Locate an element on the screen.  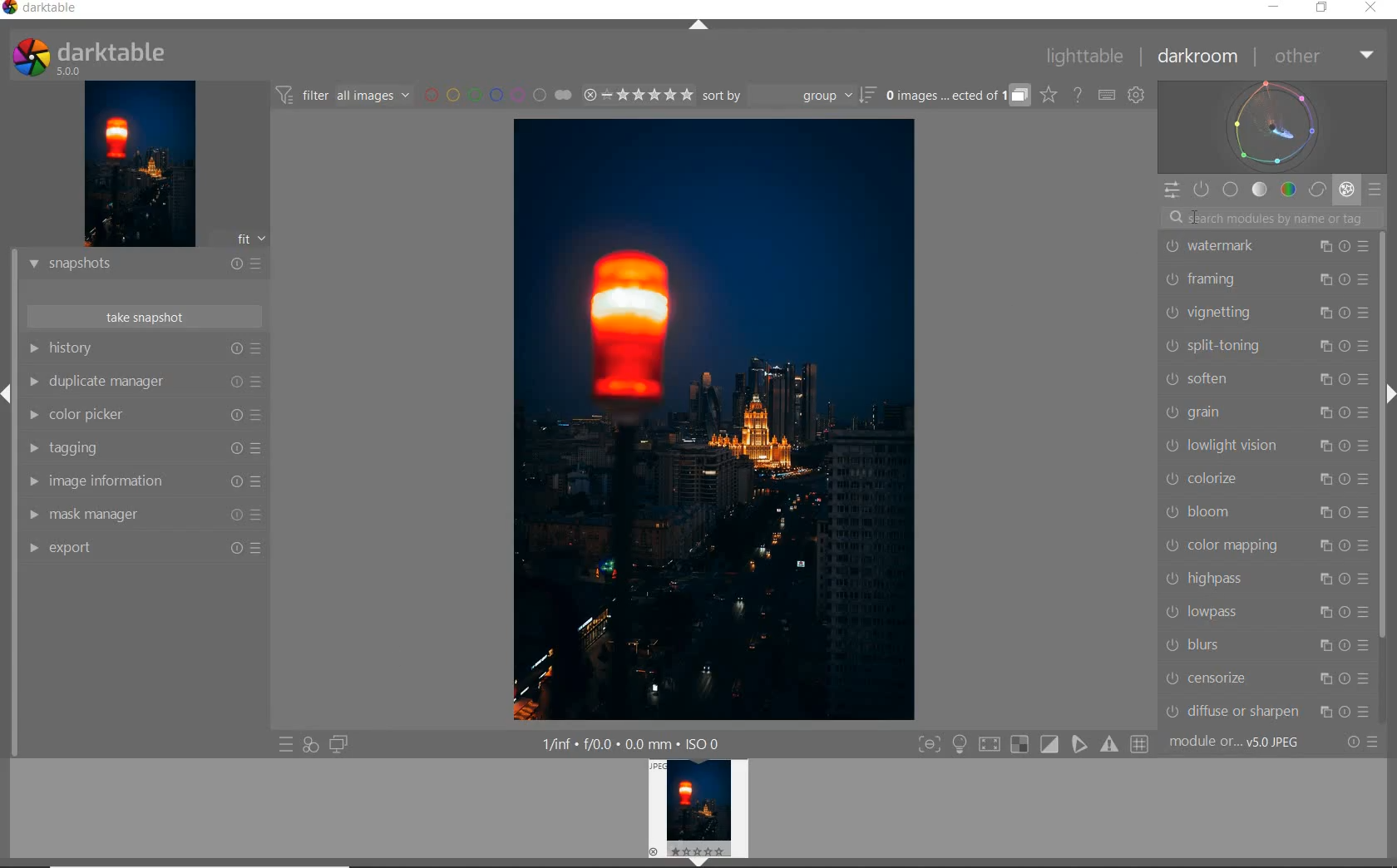
Preset and reset is located at coordinates (1381, 746).